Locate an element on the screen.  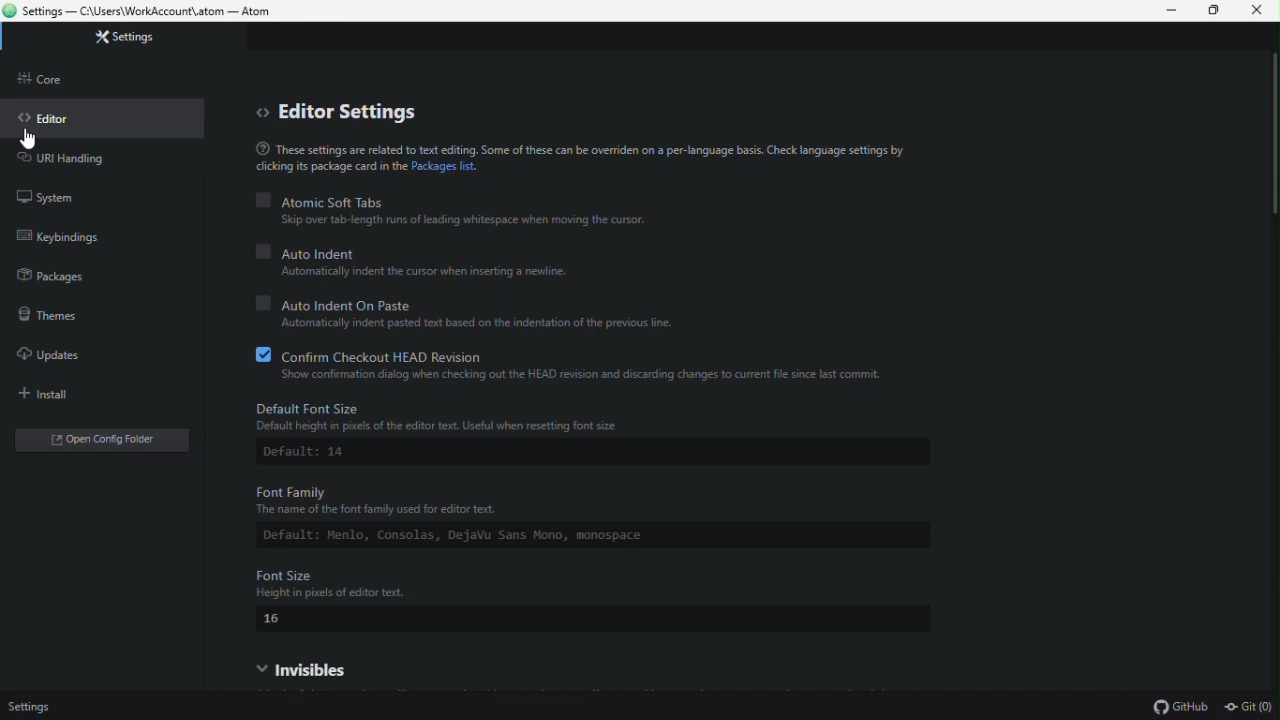
Default Font Size
Default height in pixels of the editor text. Useful when resetting font size is located at coordinates (600, 418).